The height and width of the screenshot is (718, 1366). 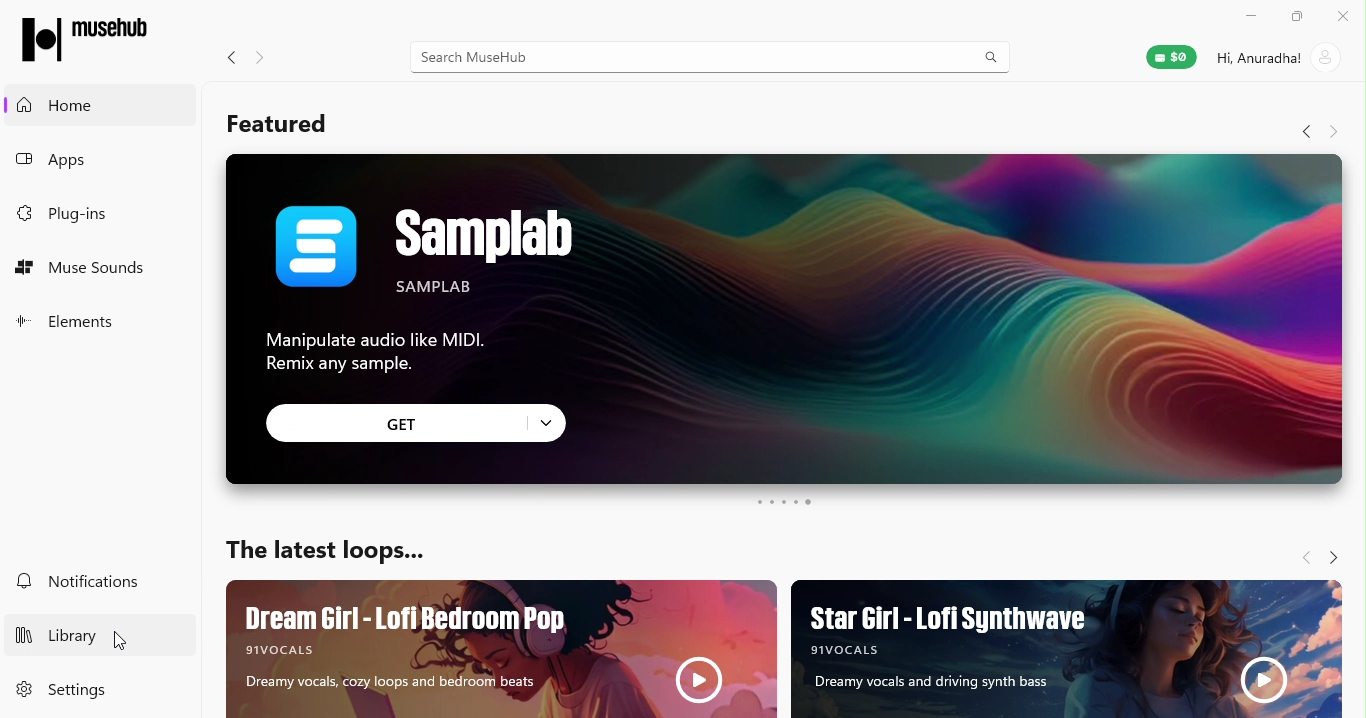 I want to click on Navigate back, so click(x=226, y=54).